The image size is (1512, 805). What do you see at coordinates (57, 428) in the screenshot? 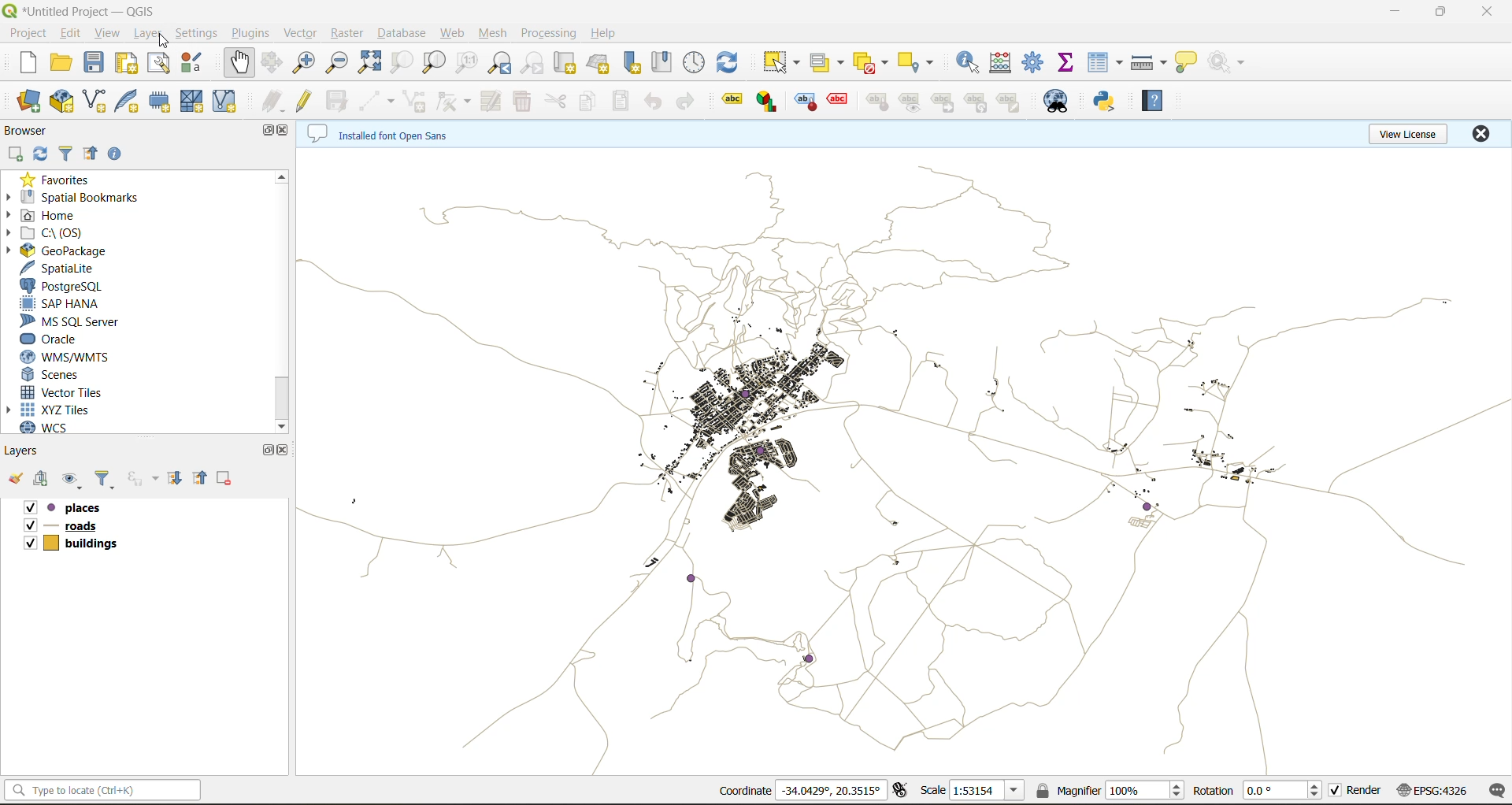
I see `wcs` at bounding box center [57, 428].